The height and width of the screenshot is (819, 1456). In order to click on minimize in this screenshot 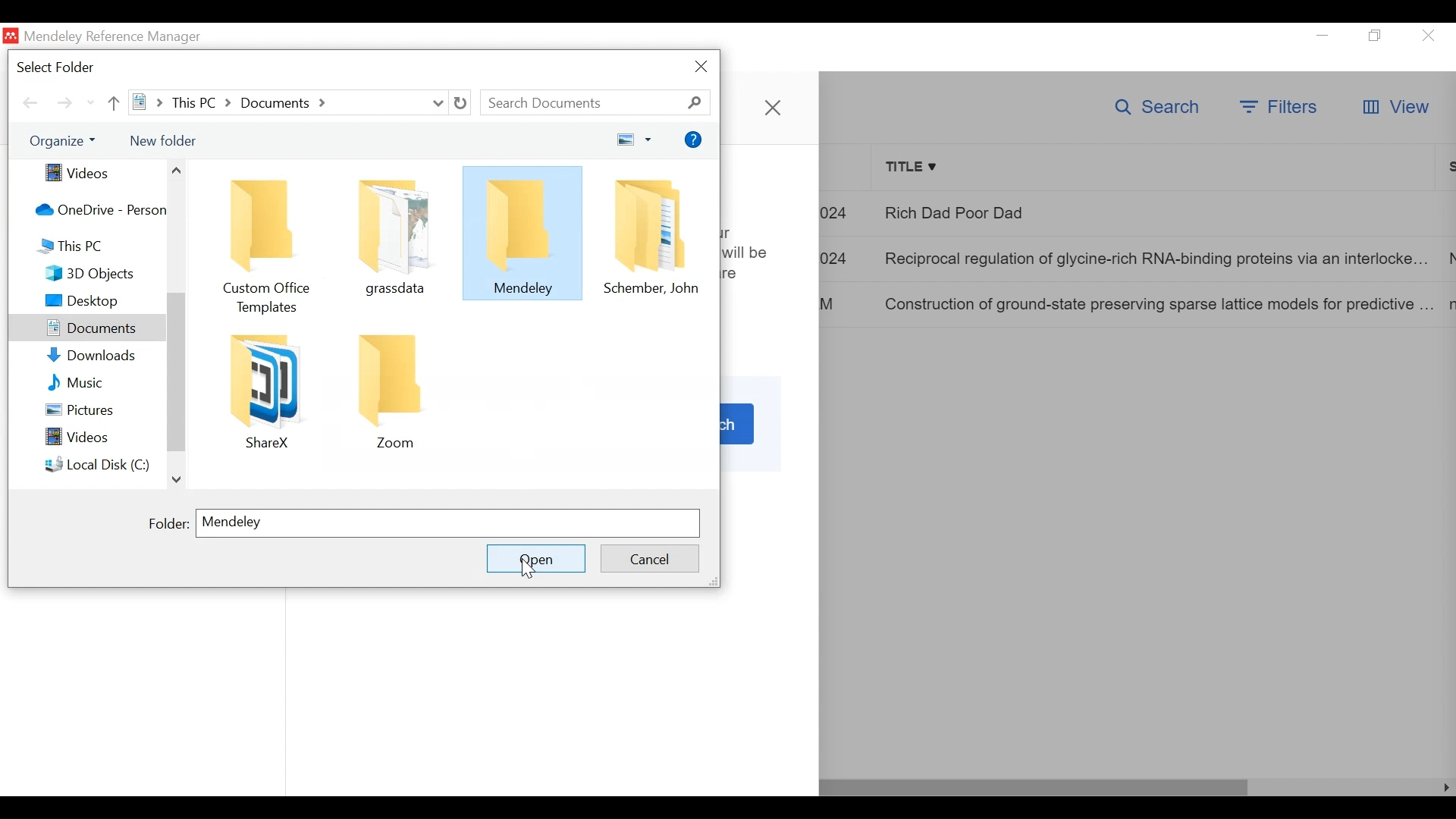, I will do `click(1323, 34)`.